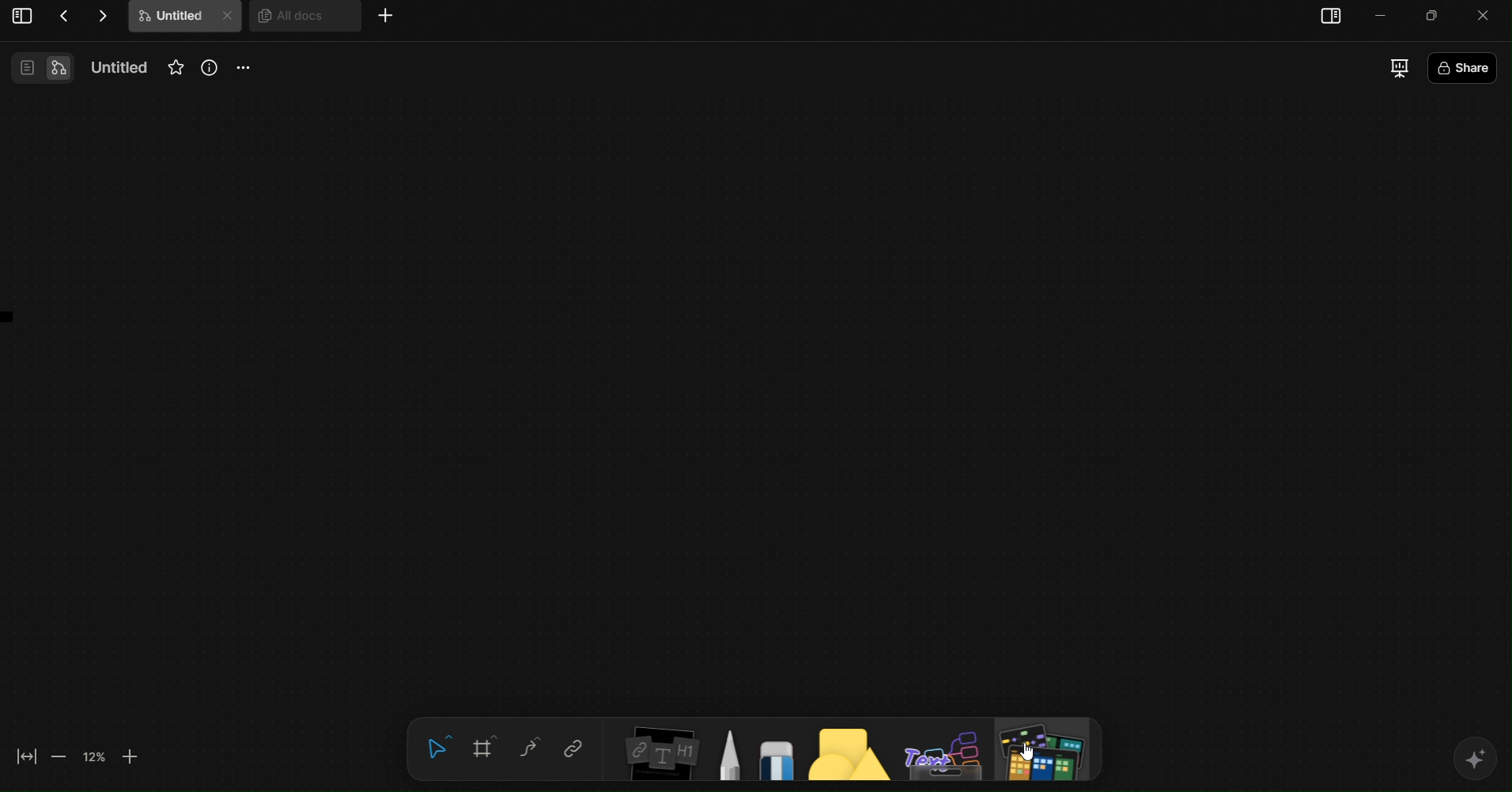 This screenshot has height=792, width=1512. Describe the element at coordinates (244, 70) in the screenshot. I see `More` at that location.